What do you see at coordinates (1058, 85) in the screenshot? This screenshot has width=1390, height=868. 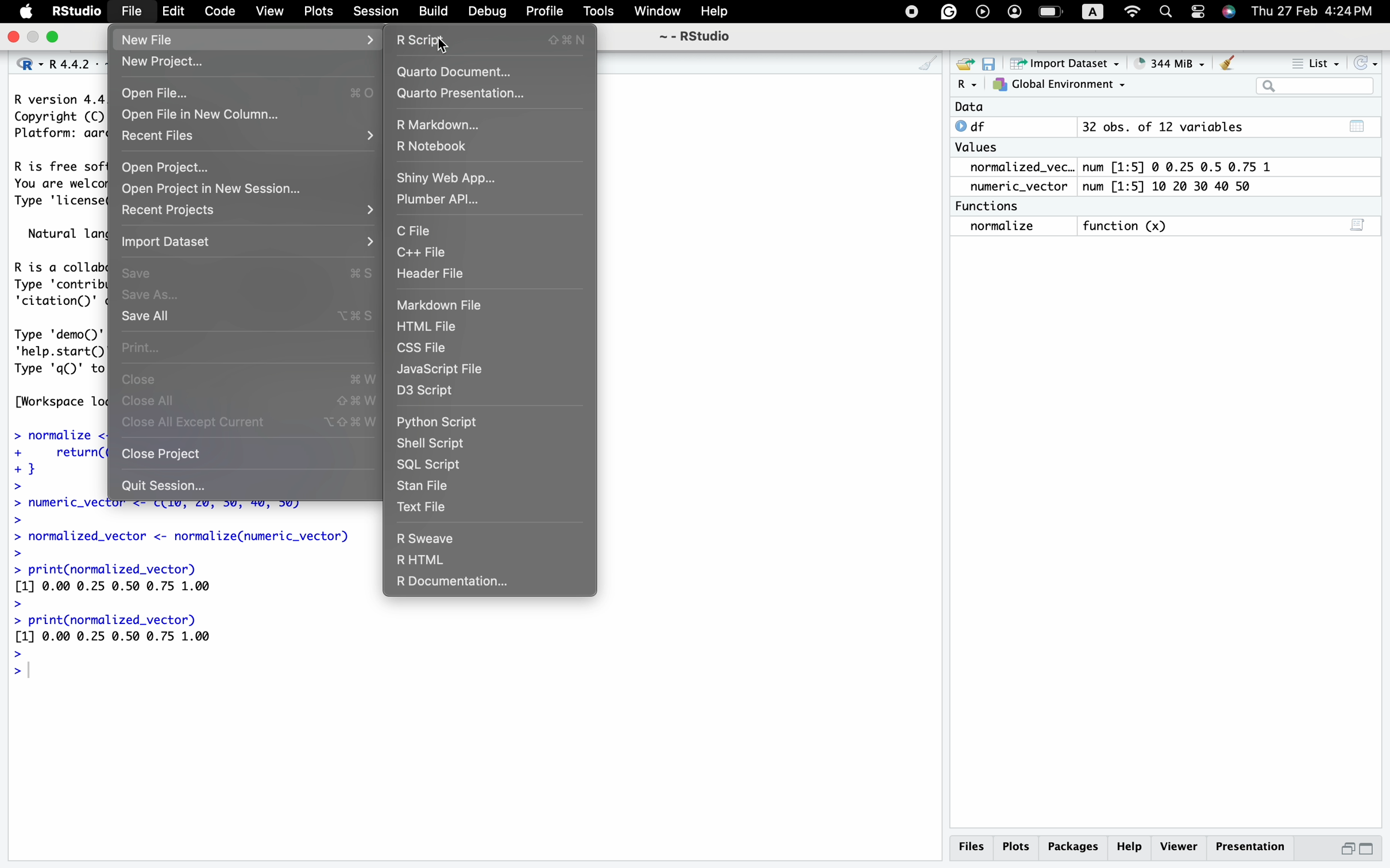 I see `Global Environment` at bounding box center [1058, 85].